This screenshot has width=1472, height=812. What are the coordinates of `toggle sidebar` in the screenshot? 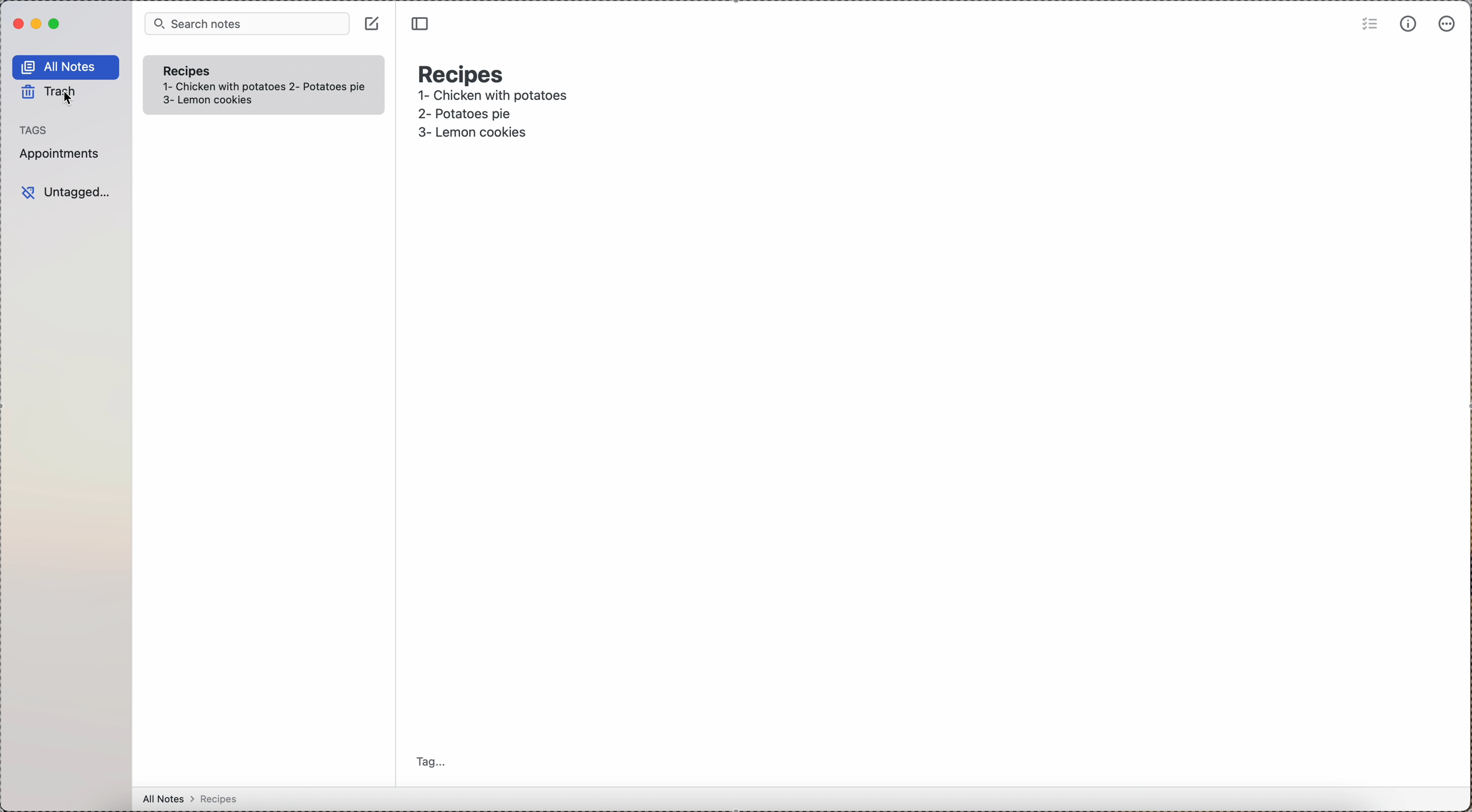 It's located at (423, 25).